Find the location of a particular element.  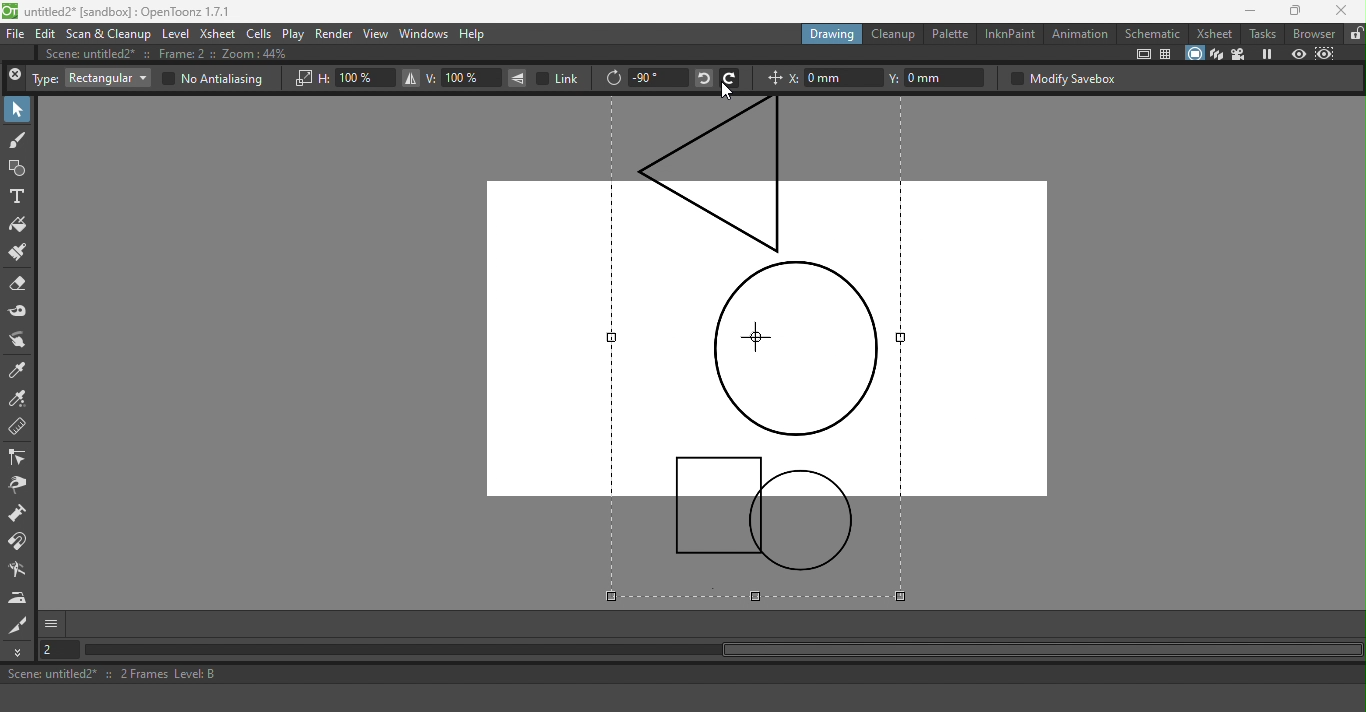

Xsheet is located at coordinates (218, 34).